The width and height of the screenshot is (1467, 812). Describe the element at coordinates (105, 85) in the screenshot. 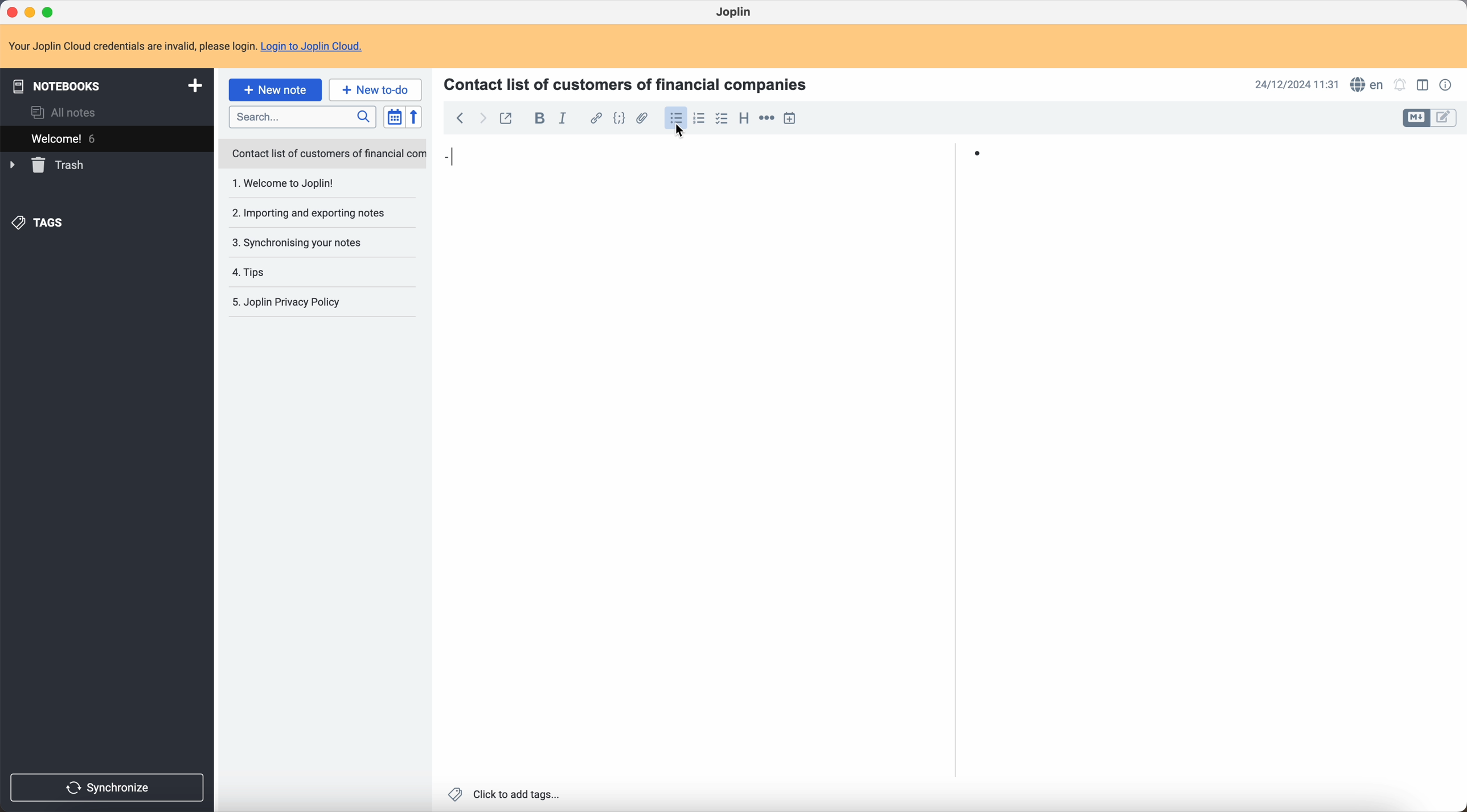

I see `notebooks` at that location.